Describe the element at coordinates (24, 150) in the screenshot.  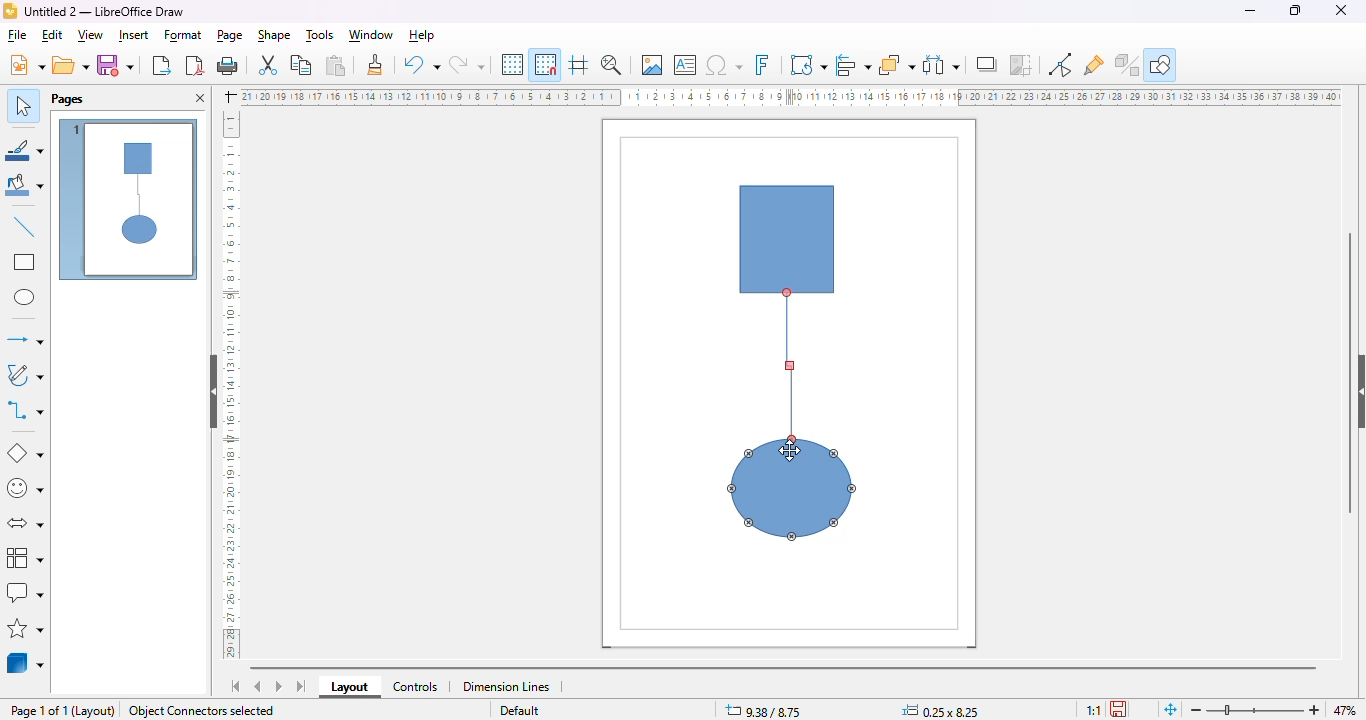
I see `line color` at that location.